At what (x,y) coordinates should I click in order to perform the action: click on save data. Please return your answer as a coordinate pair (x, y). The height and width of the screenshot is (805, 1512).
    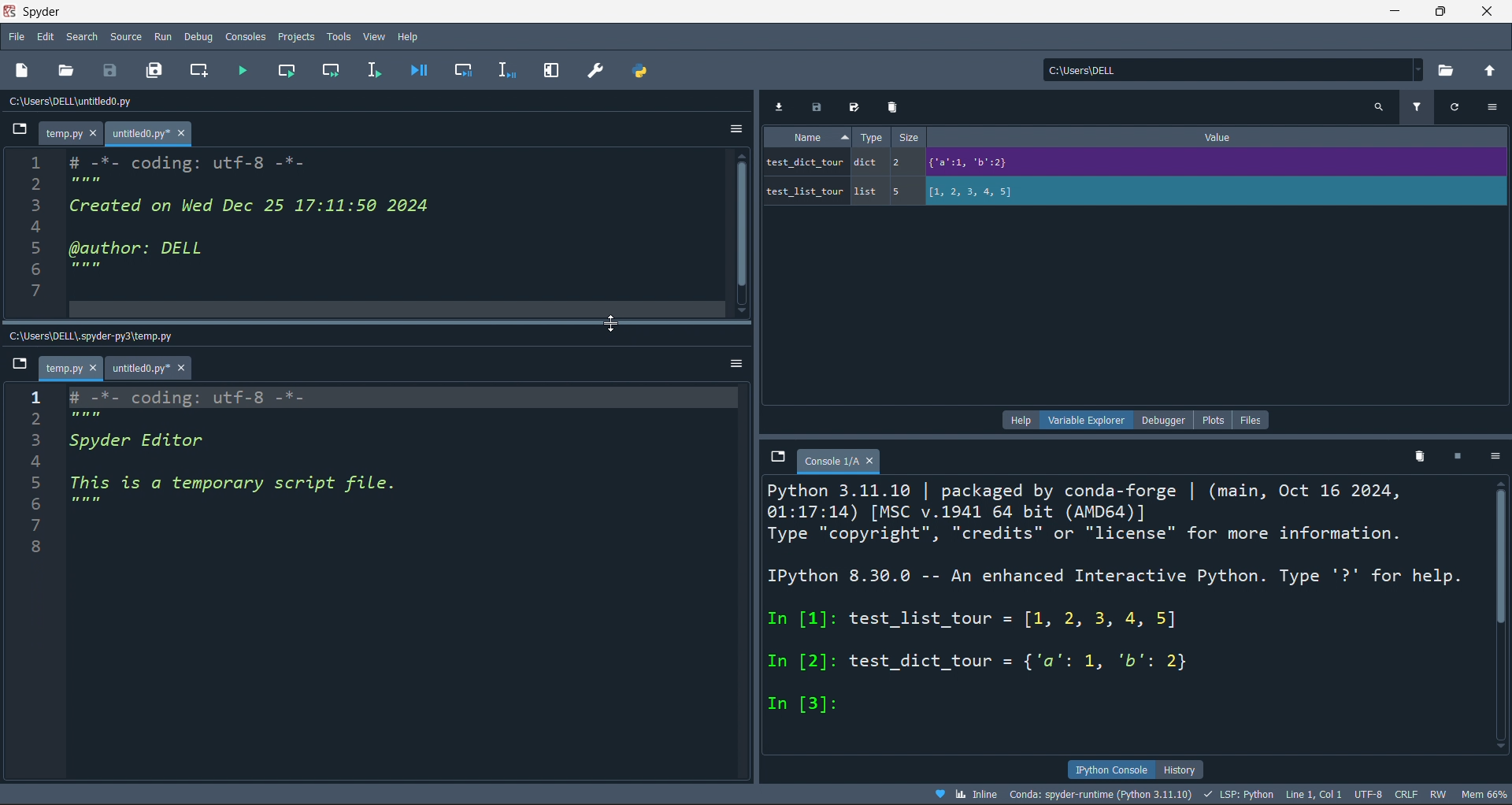
    Looking at the image, I should click on (817, 106).